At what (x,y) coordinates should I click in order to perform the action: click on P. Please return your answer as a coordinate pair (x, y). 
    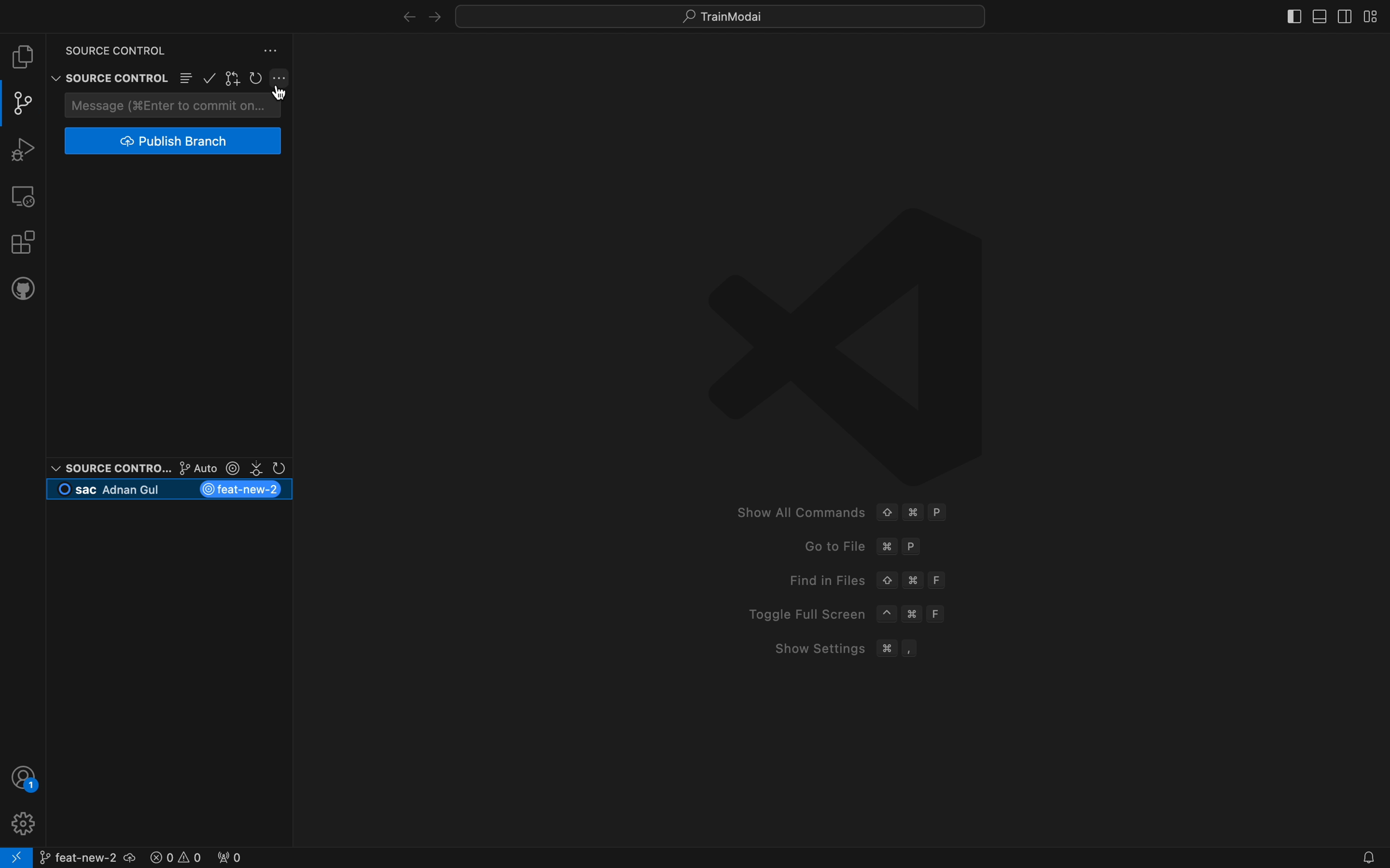
    Looking at the image, I should click on (914, 548).